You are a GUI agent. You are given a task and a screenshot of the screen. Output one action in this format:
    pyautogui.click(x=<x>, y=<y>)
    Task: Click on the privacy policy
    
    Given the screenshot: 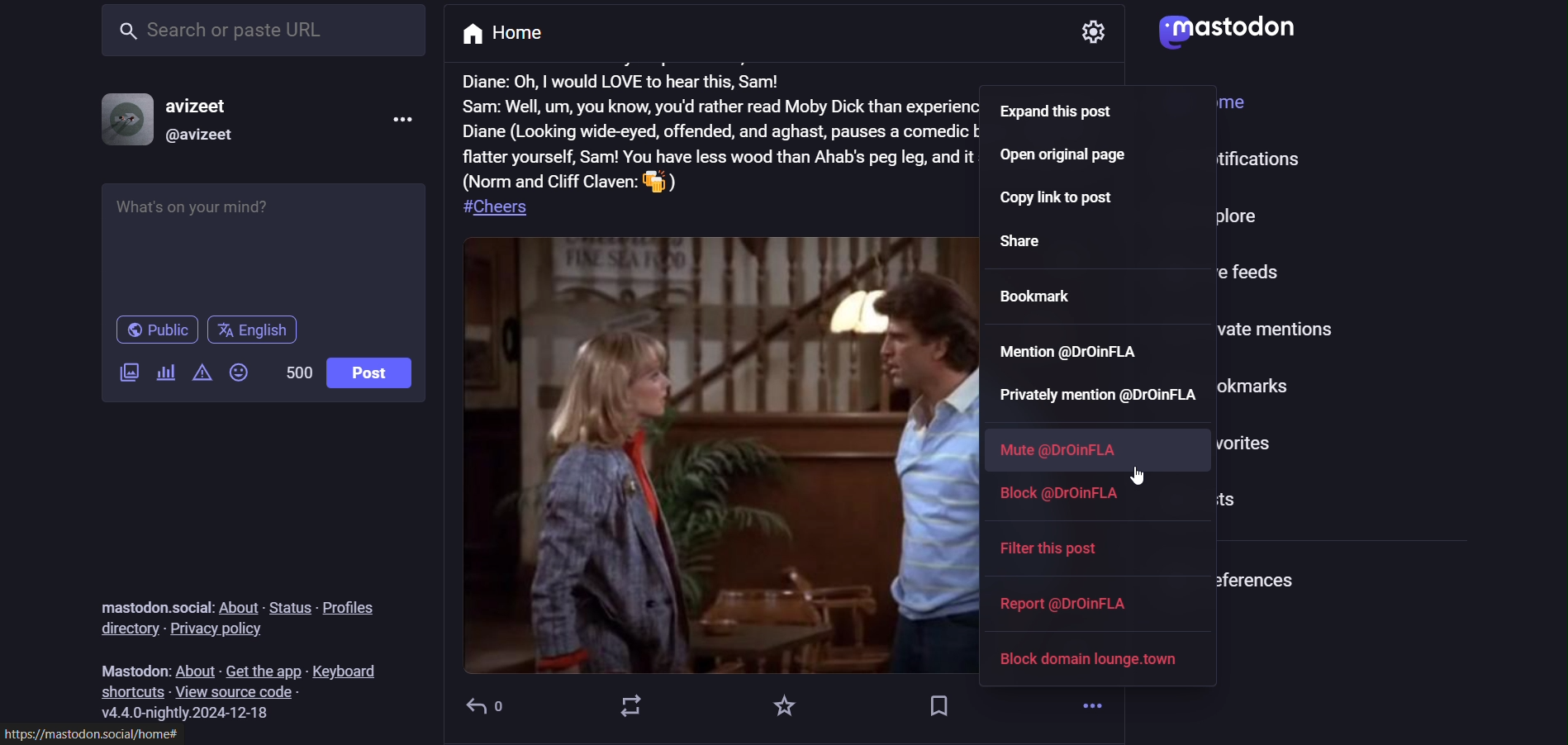 What is the action you would take?
    pyautogui.click(x=216, y=629)
    